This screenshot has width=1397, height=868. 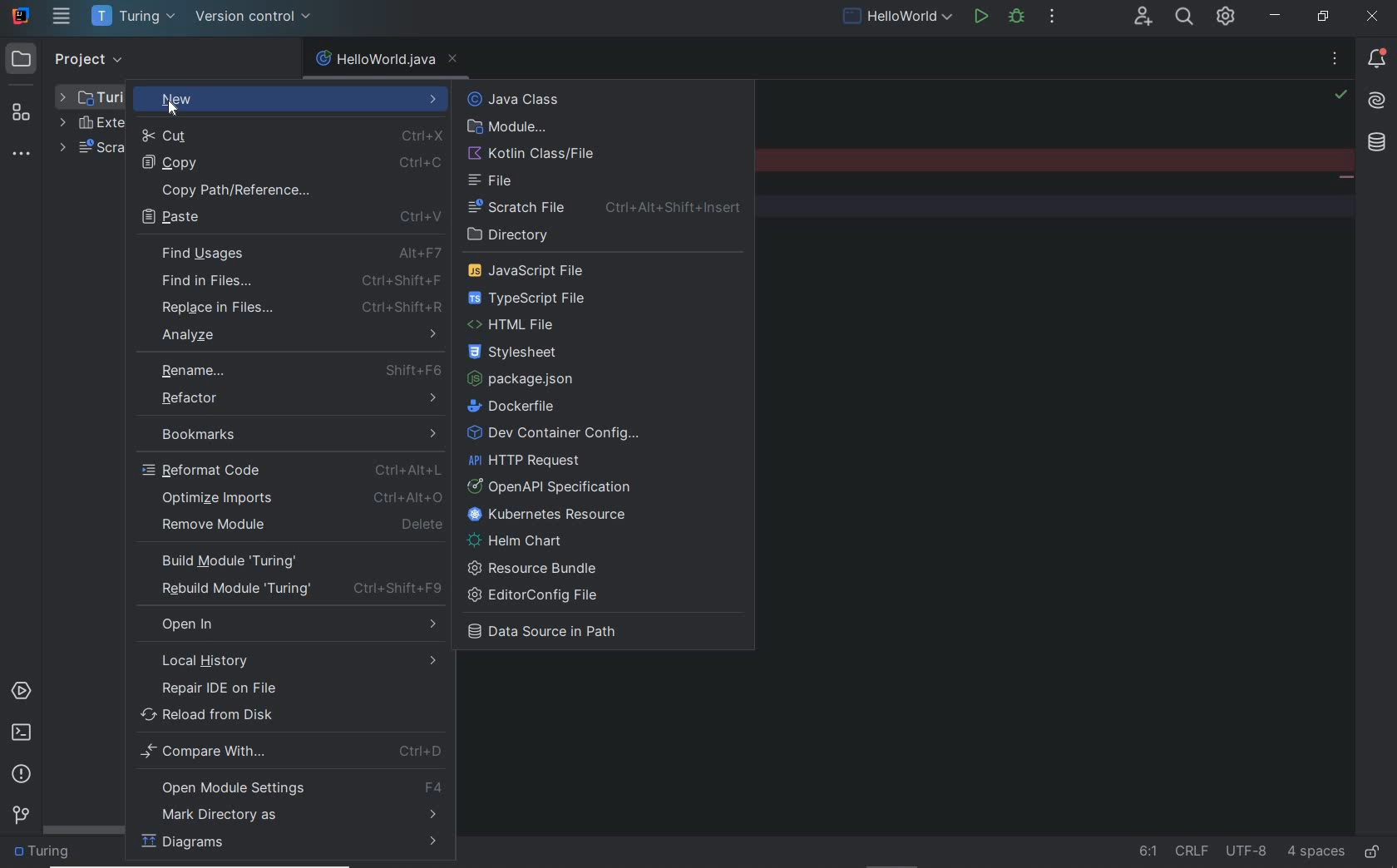 What do you see at coordinates (1371, 852) in the screenshot?
I see `make file ready only` at bounding box center [1371, 852].